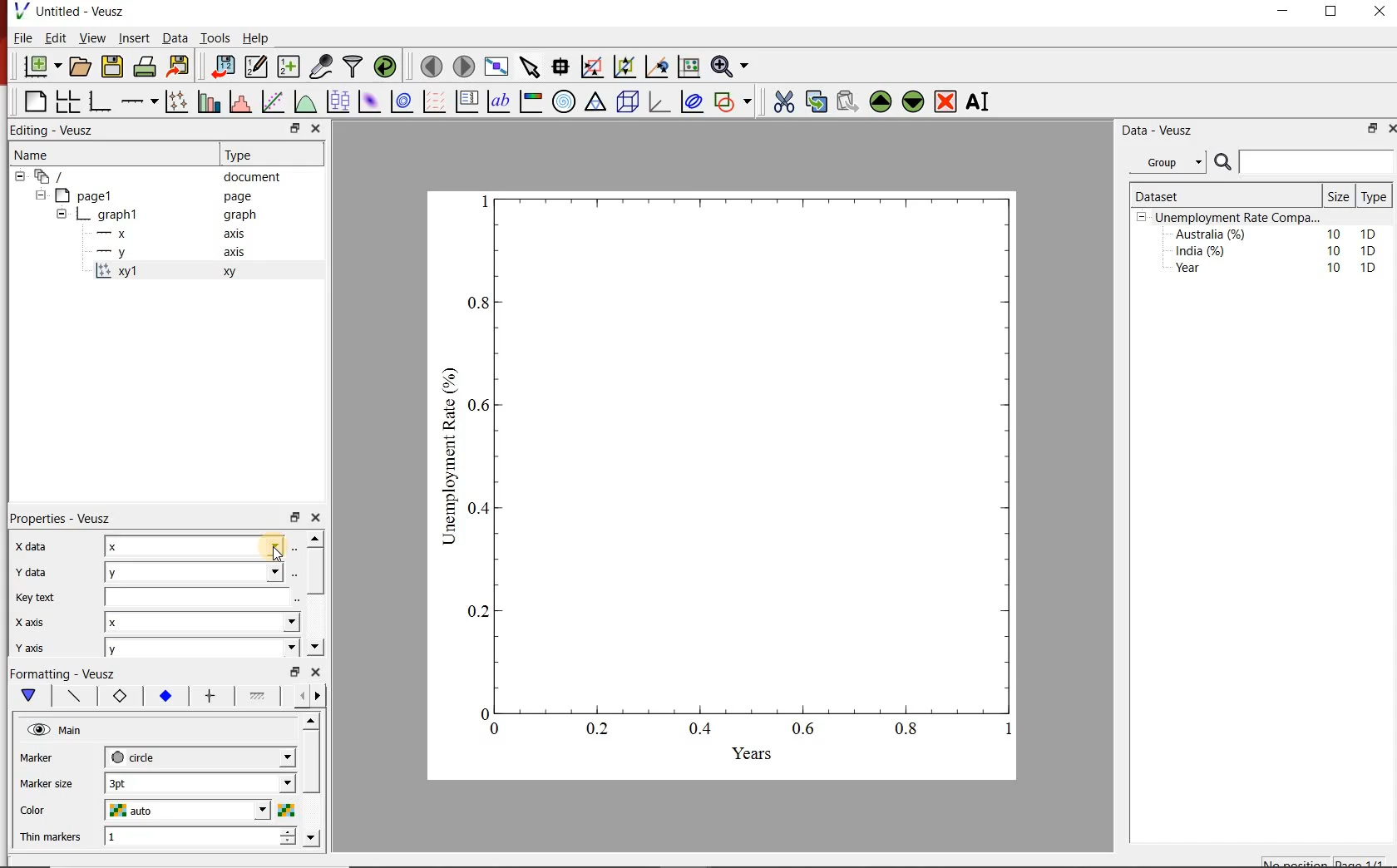 The height and width of the screenshot is (868, 1397). I want to click on cut the widgets, so click(784, 101).